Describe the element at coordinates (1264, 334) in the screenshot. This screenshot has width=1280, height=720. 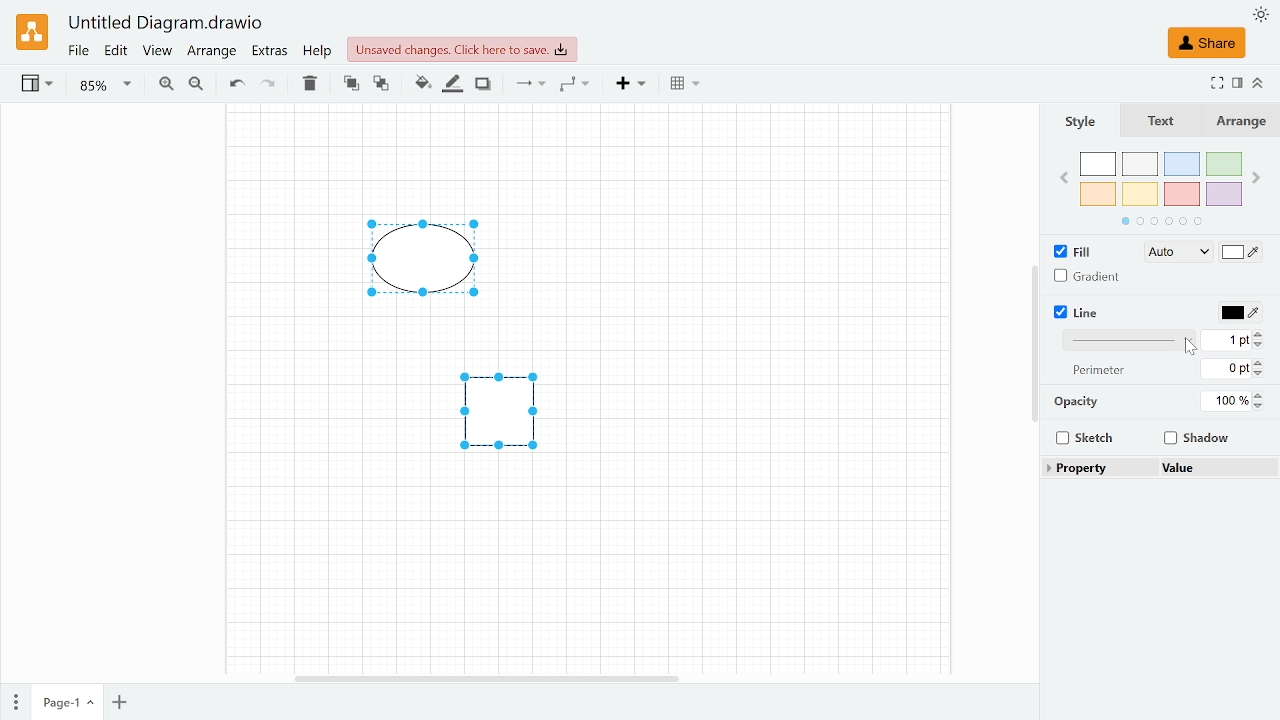
I see `Increase width` at that location.